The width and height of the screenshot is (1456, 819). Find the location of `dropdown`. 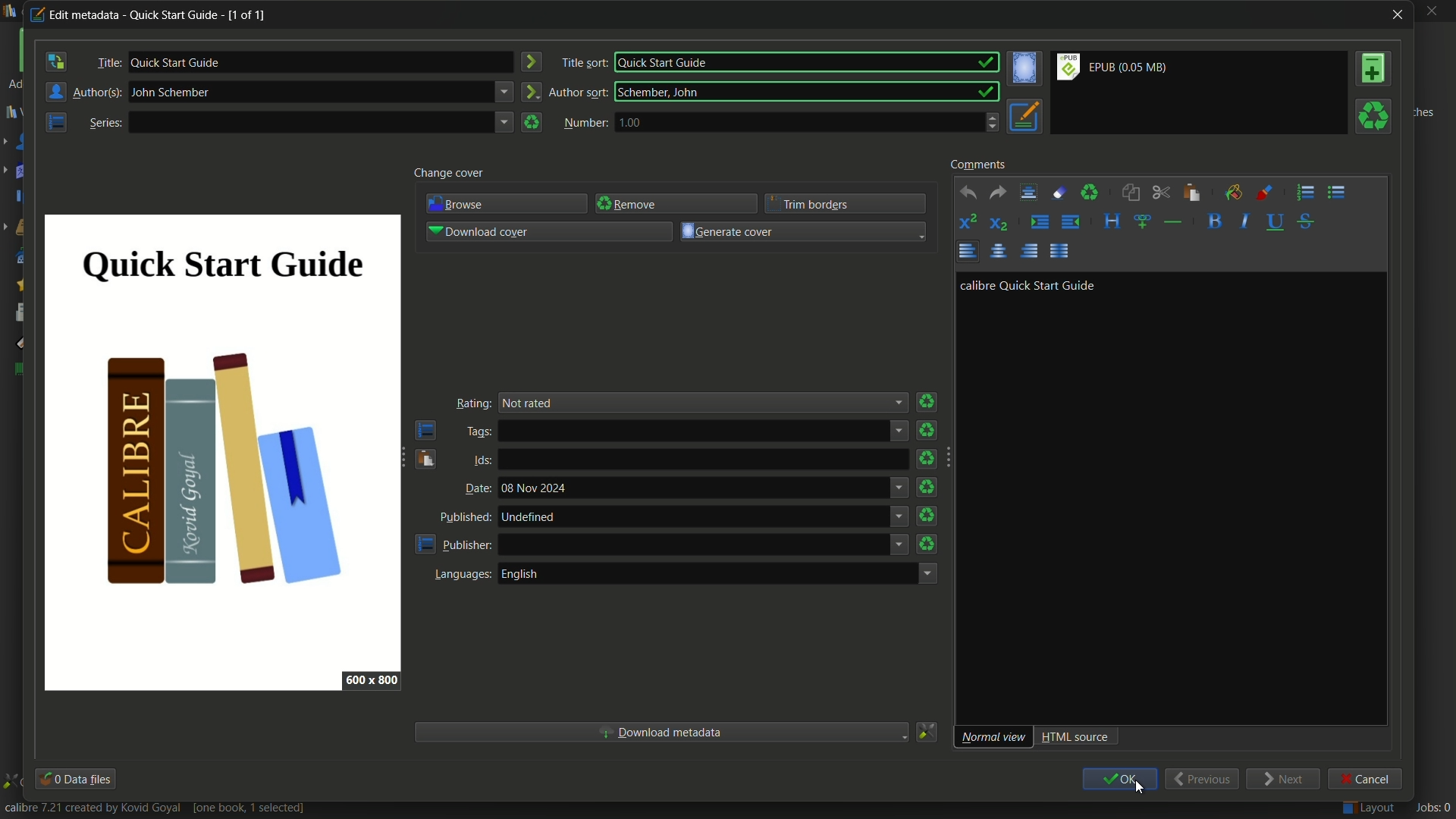

dropdown is located at coordinates (898, 516).